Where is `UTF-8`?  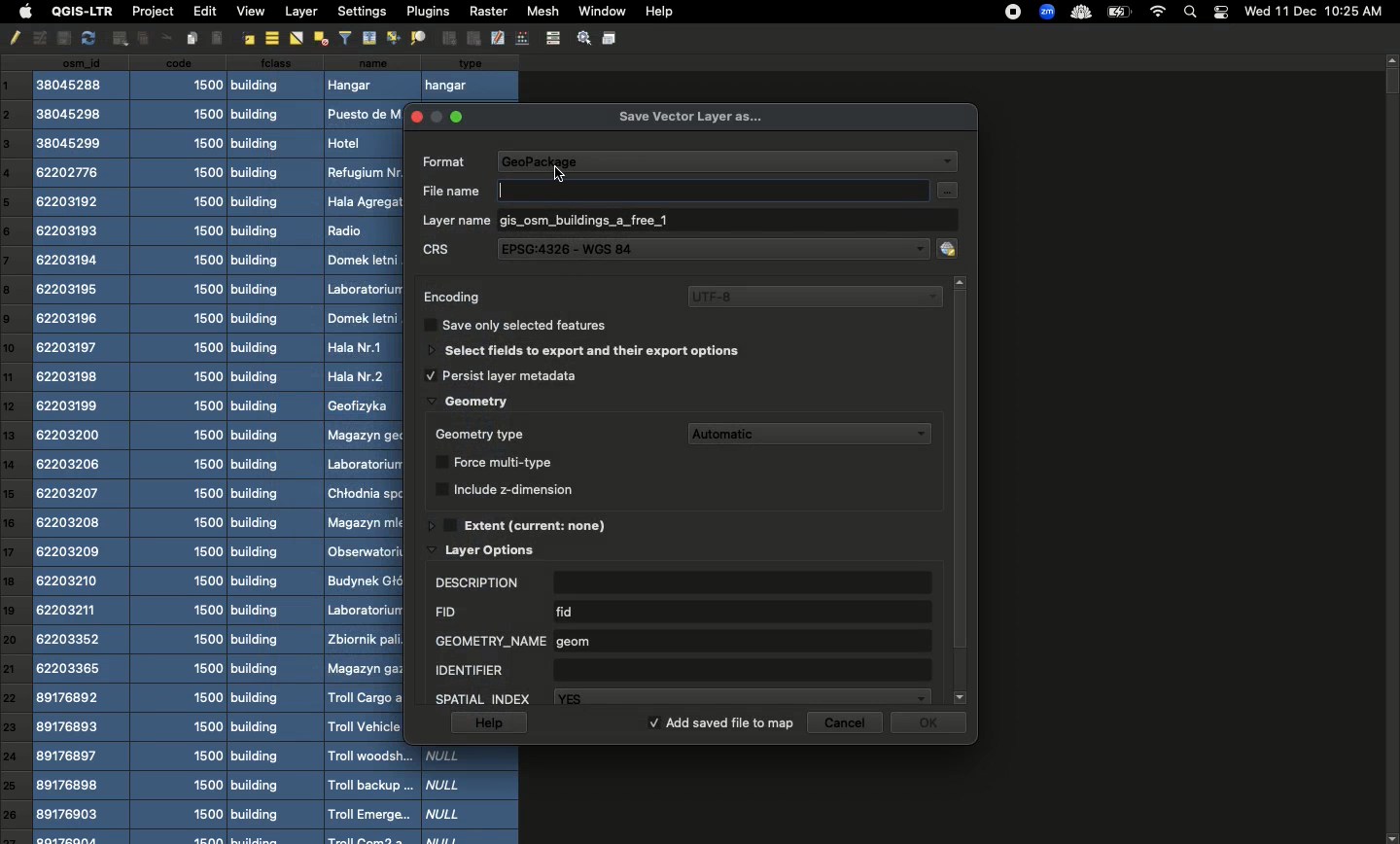 UTF-8 is located at coordinates (815, 298).